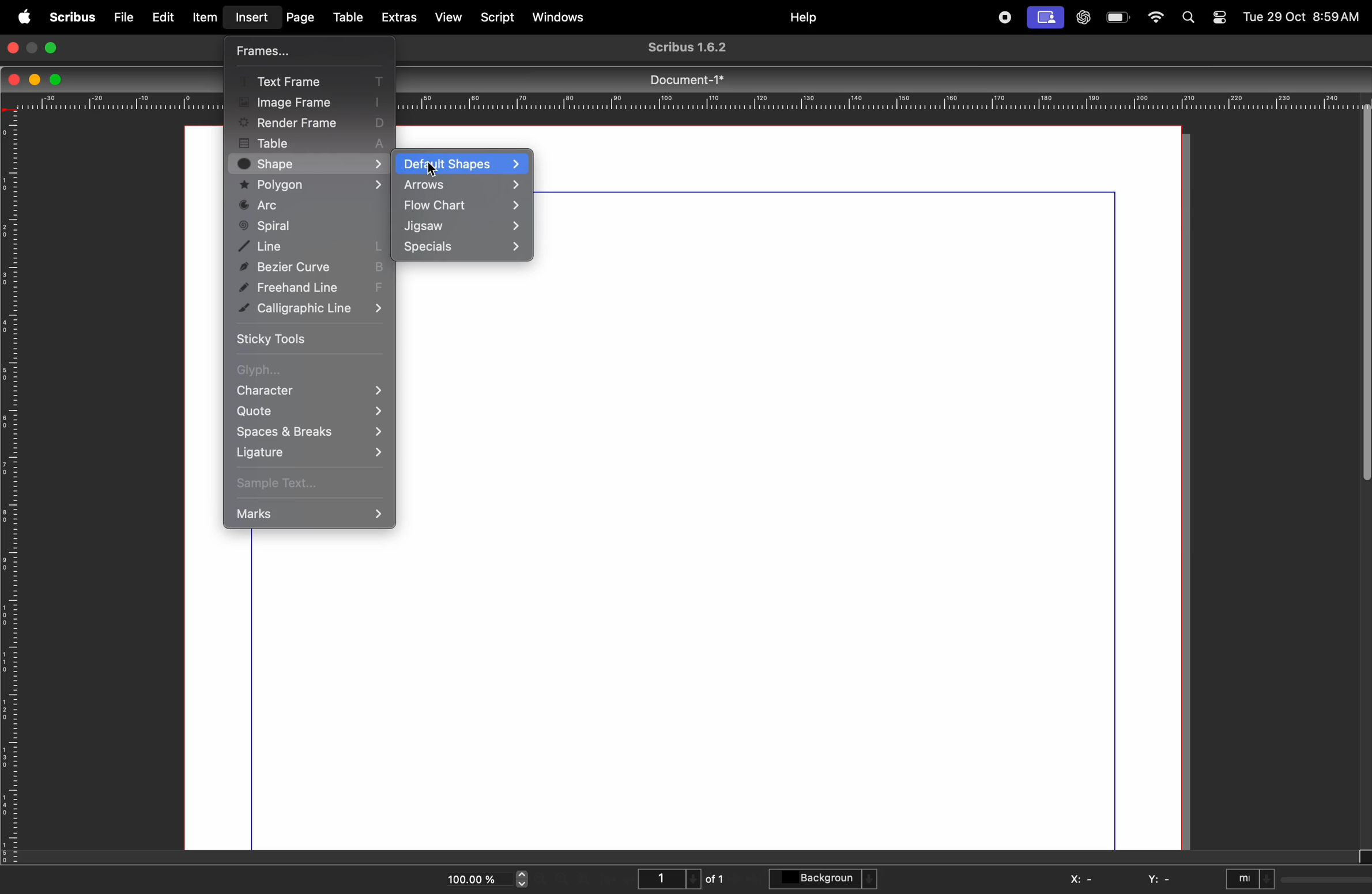 The width and height of the screenshot is (1372, 894). I want to click on line   L, so click(311, 247).